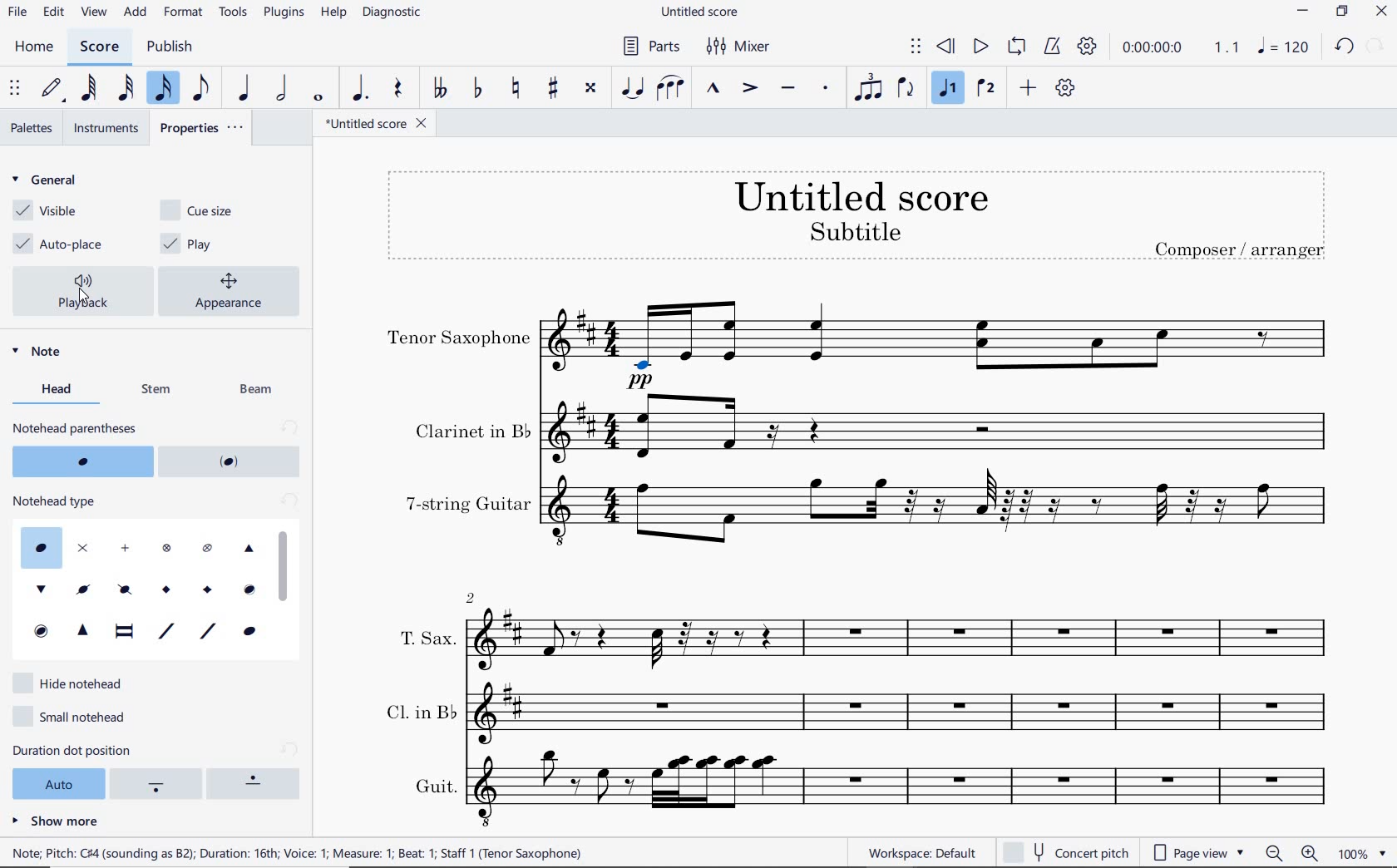  What do you see at coordinates (418, 709) in the screenshot?
I see `text` at bounding box center [418, 709].